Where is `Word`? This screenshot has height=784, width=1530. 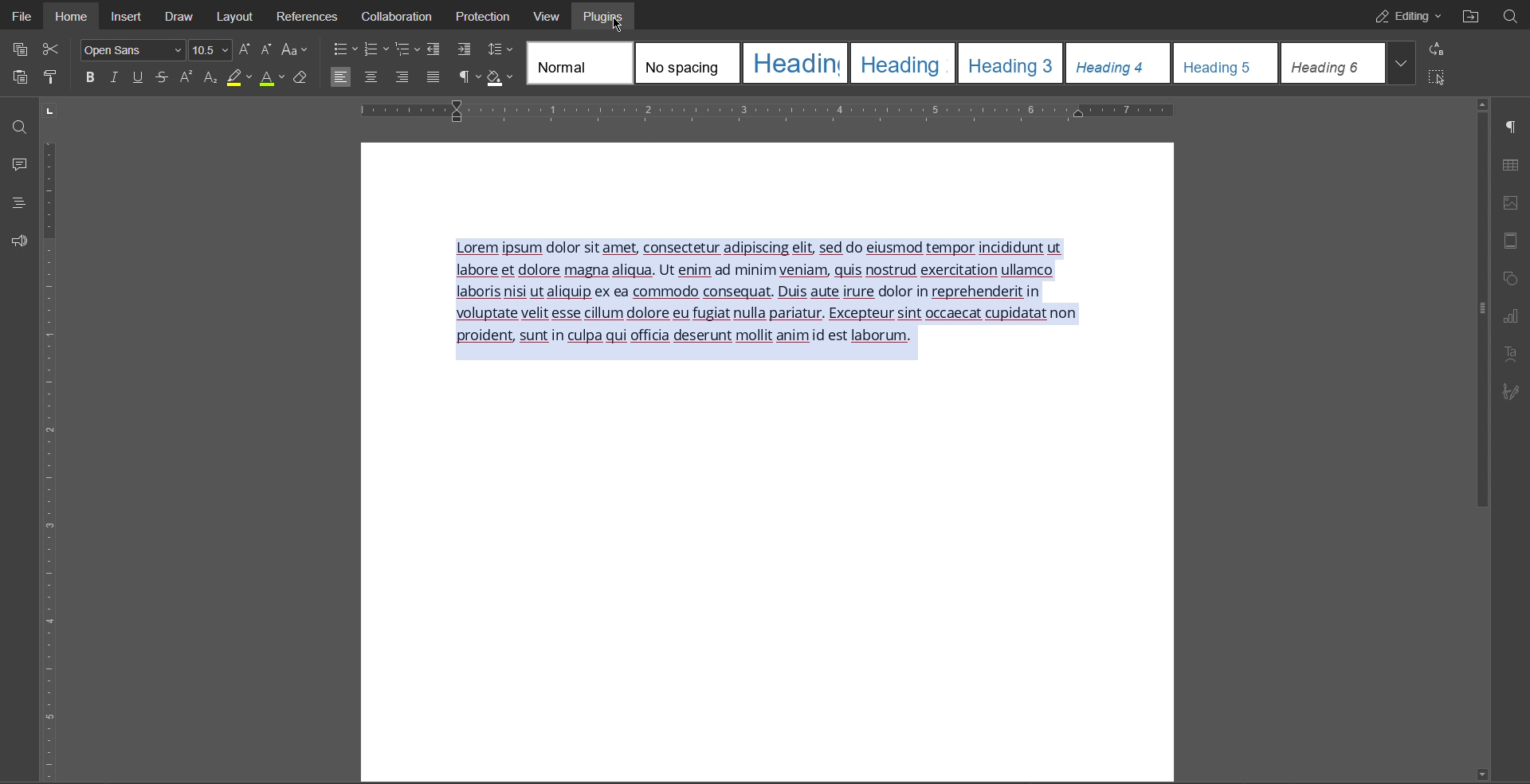
Word is located at coordinates (186, 78).